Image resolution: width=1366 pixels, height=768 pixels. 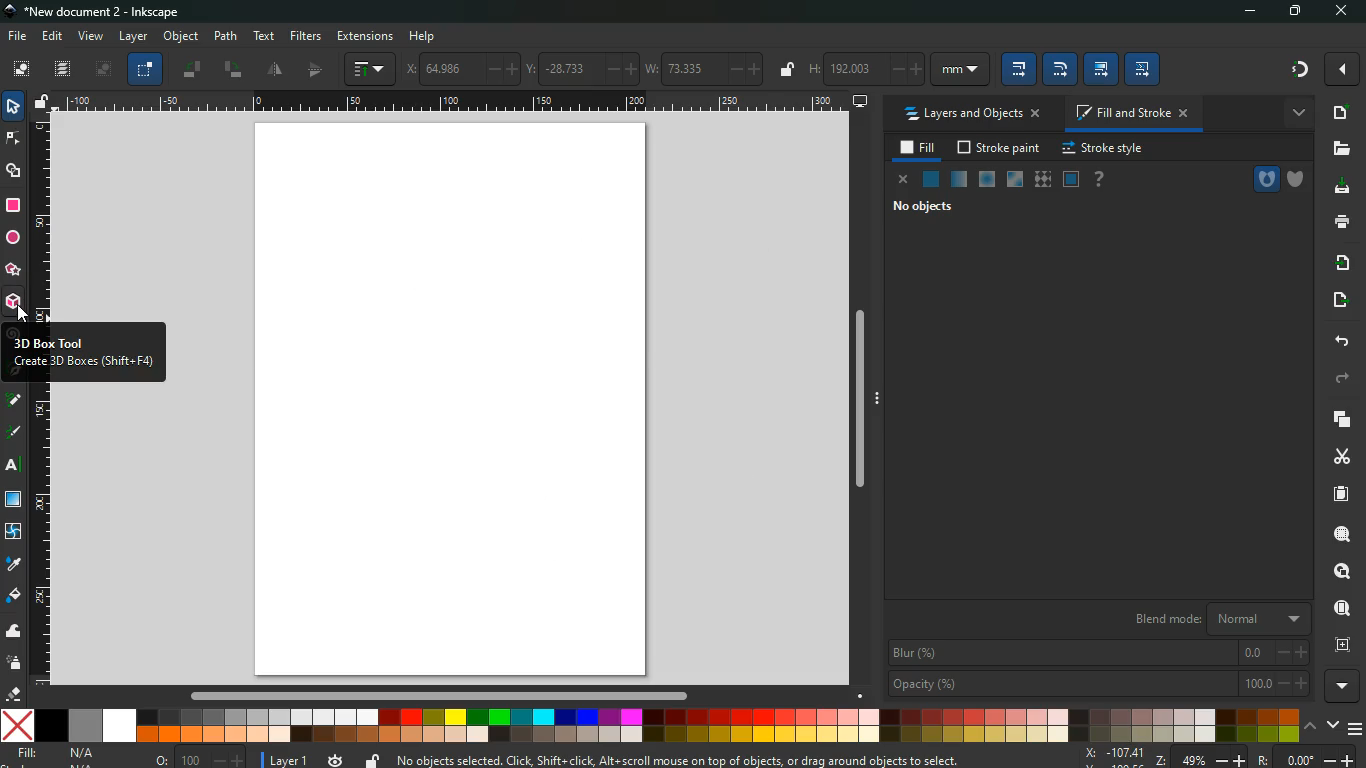 What do you see at coordinates (985, 181) in the screenshot?
I see `ice` at bounding box center [985, 181].